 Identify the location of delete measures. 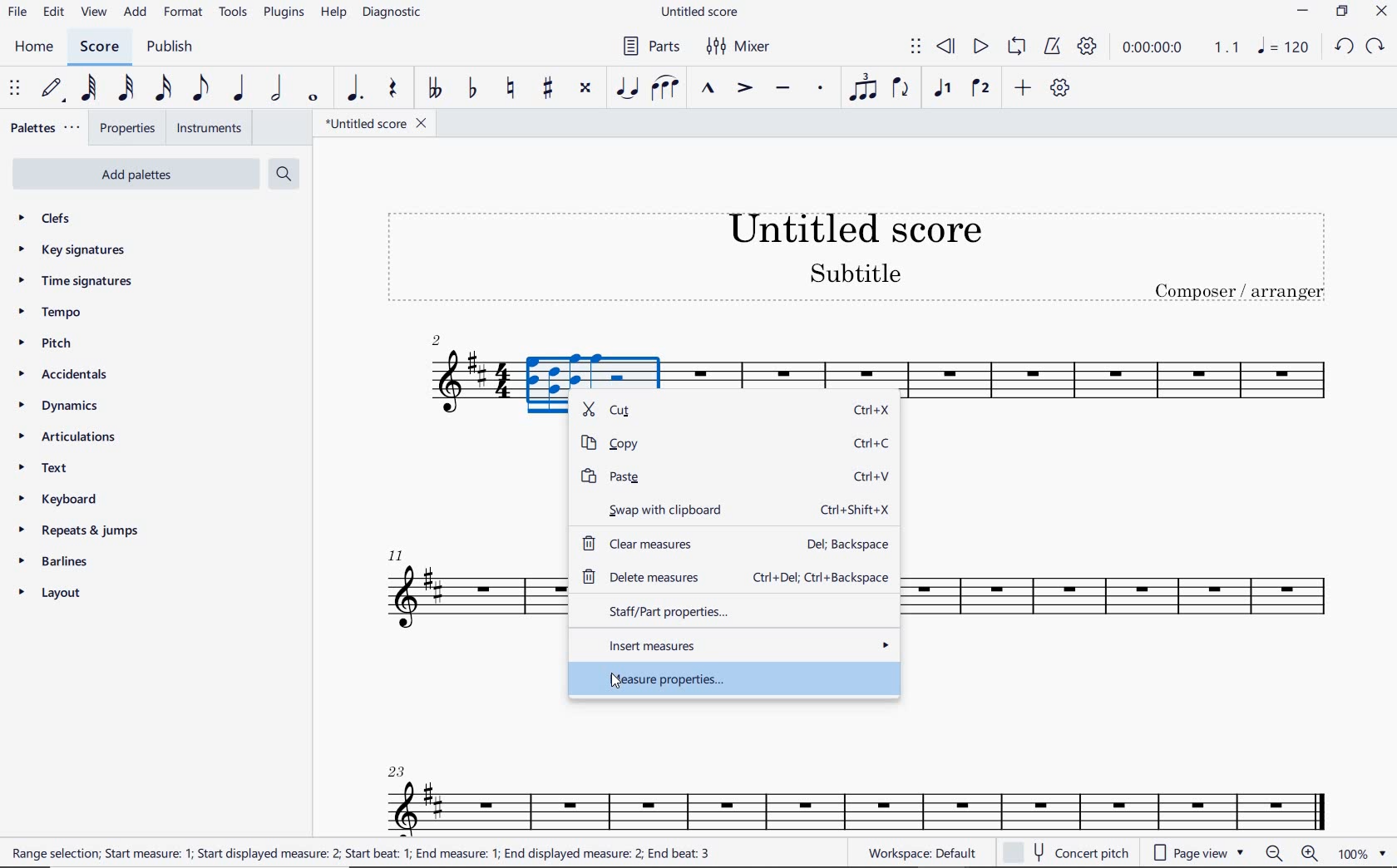
(740, 577).